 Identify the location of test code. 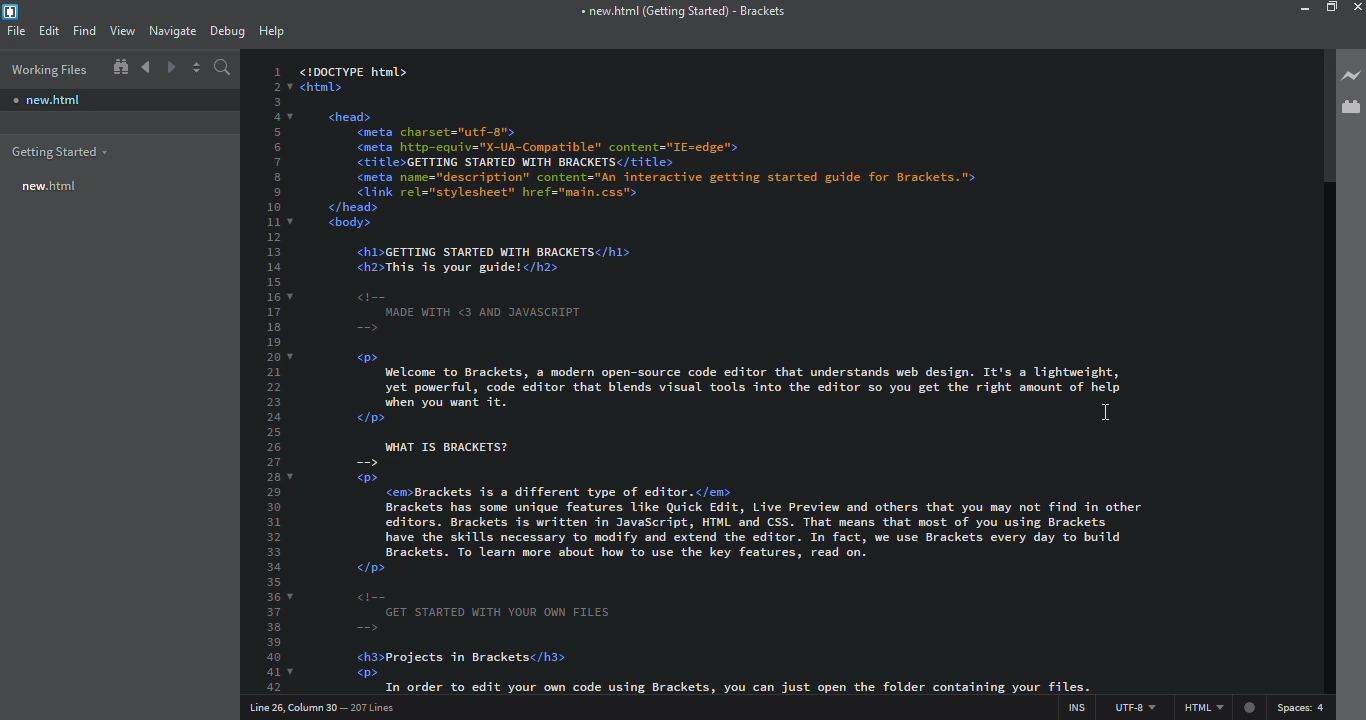
(737, 545).